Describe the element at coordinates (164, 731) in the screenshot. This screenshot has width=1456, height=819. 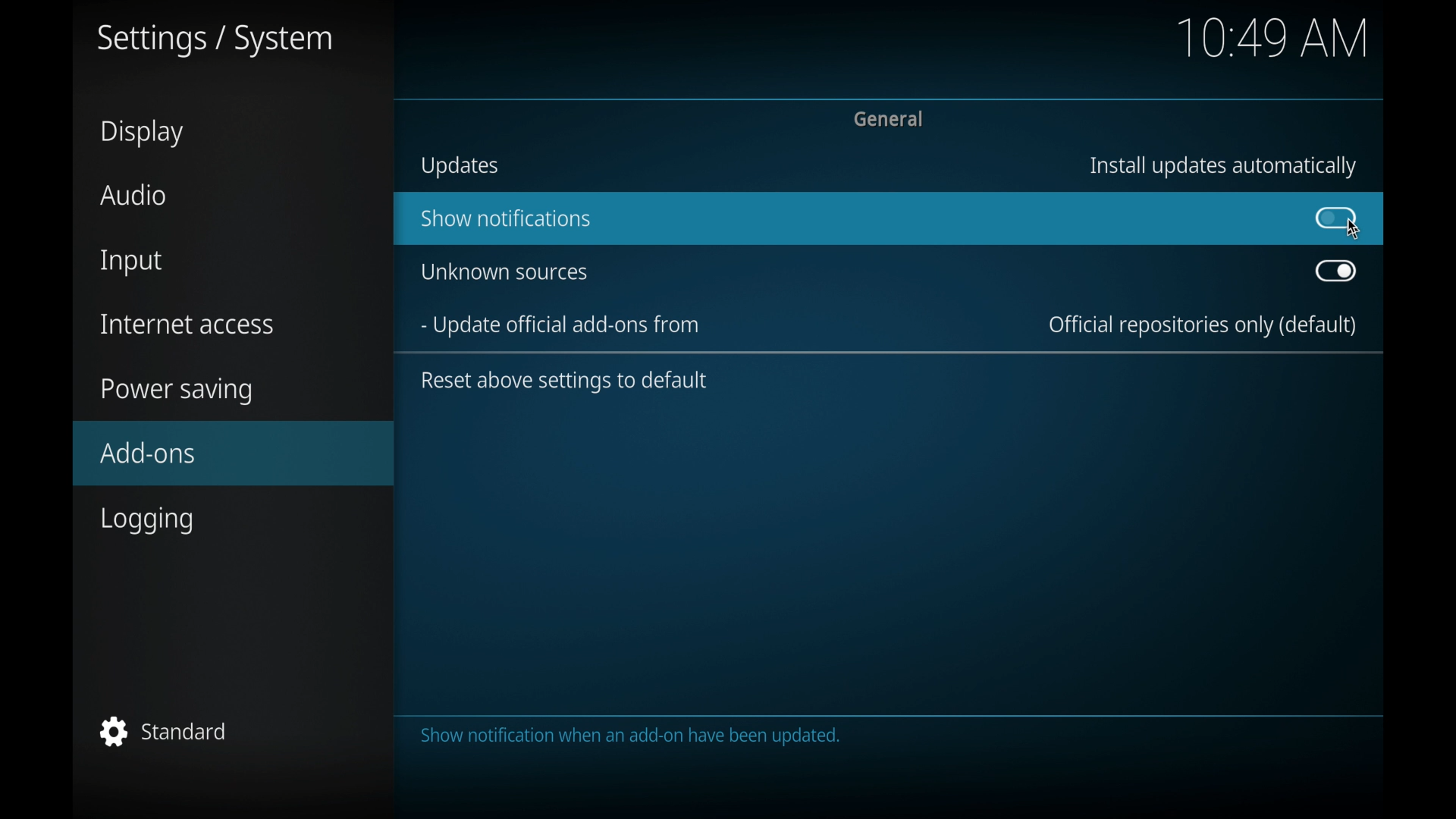
I see `standard` at that location.